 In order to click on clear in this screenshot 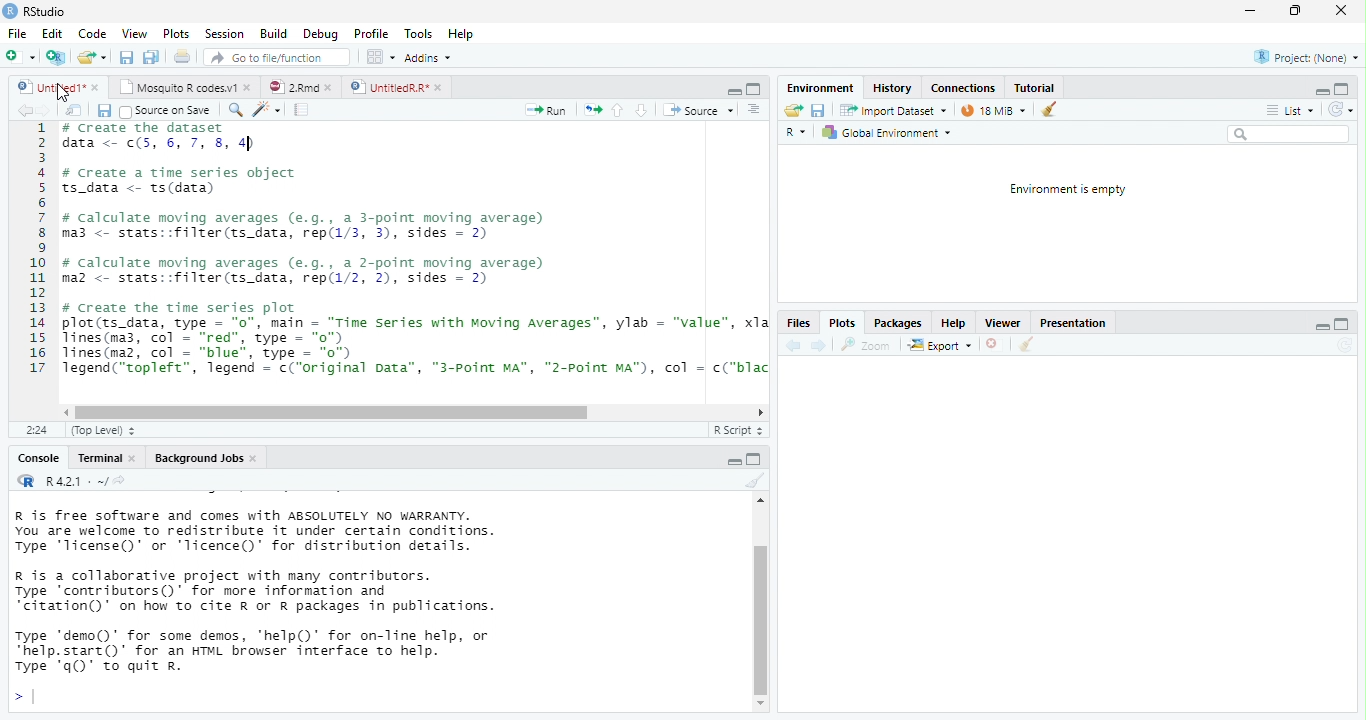, I will do `click(1025, 346)`.